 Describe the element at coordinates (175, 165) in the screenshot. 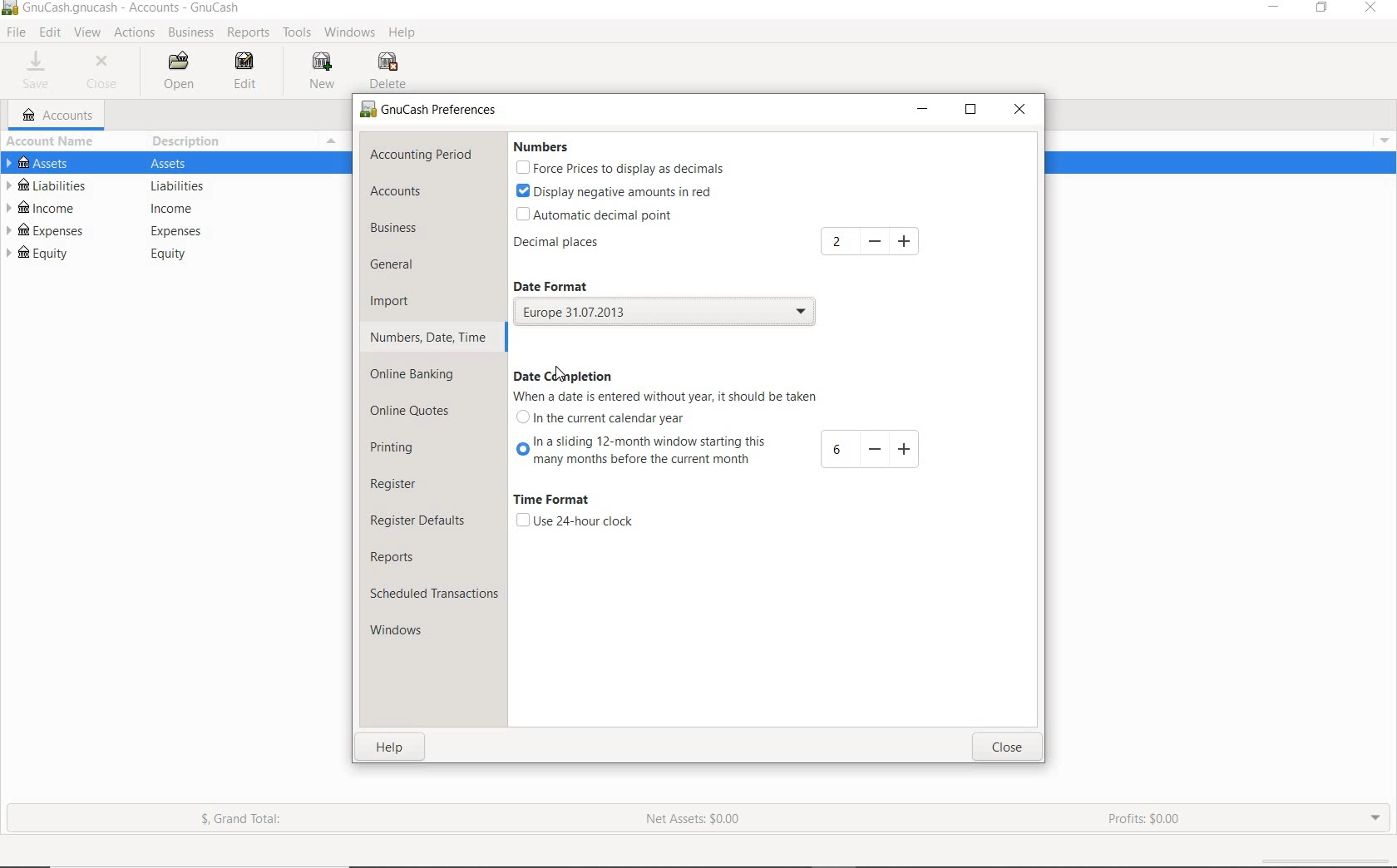

I see `ASSETS` at that location.